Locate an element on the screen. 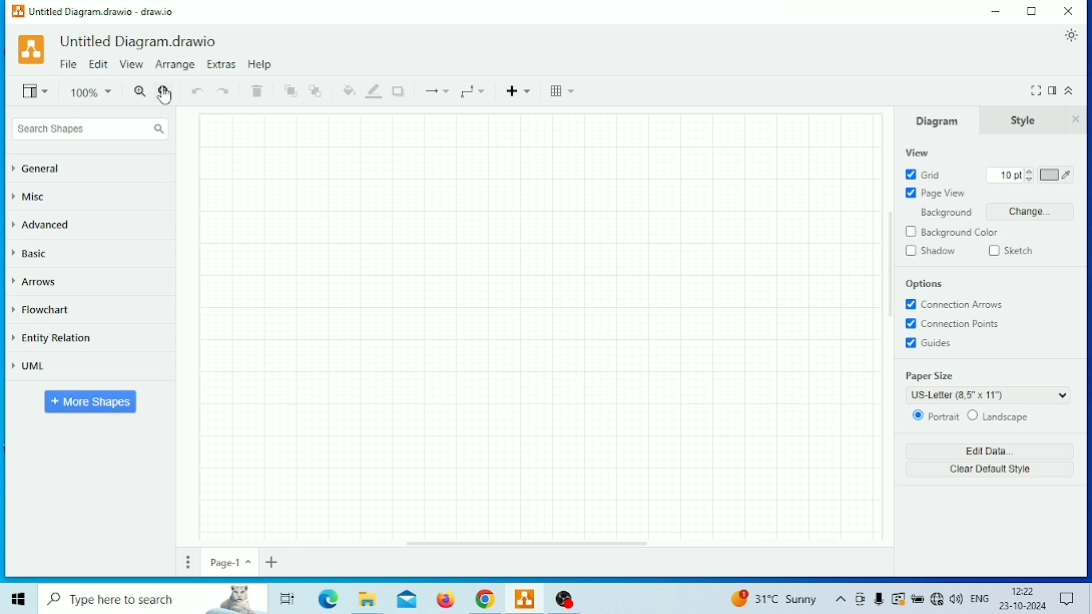 This screenshot has height=614, width=1092. Diagram is located at coordinates (934, 120).